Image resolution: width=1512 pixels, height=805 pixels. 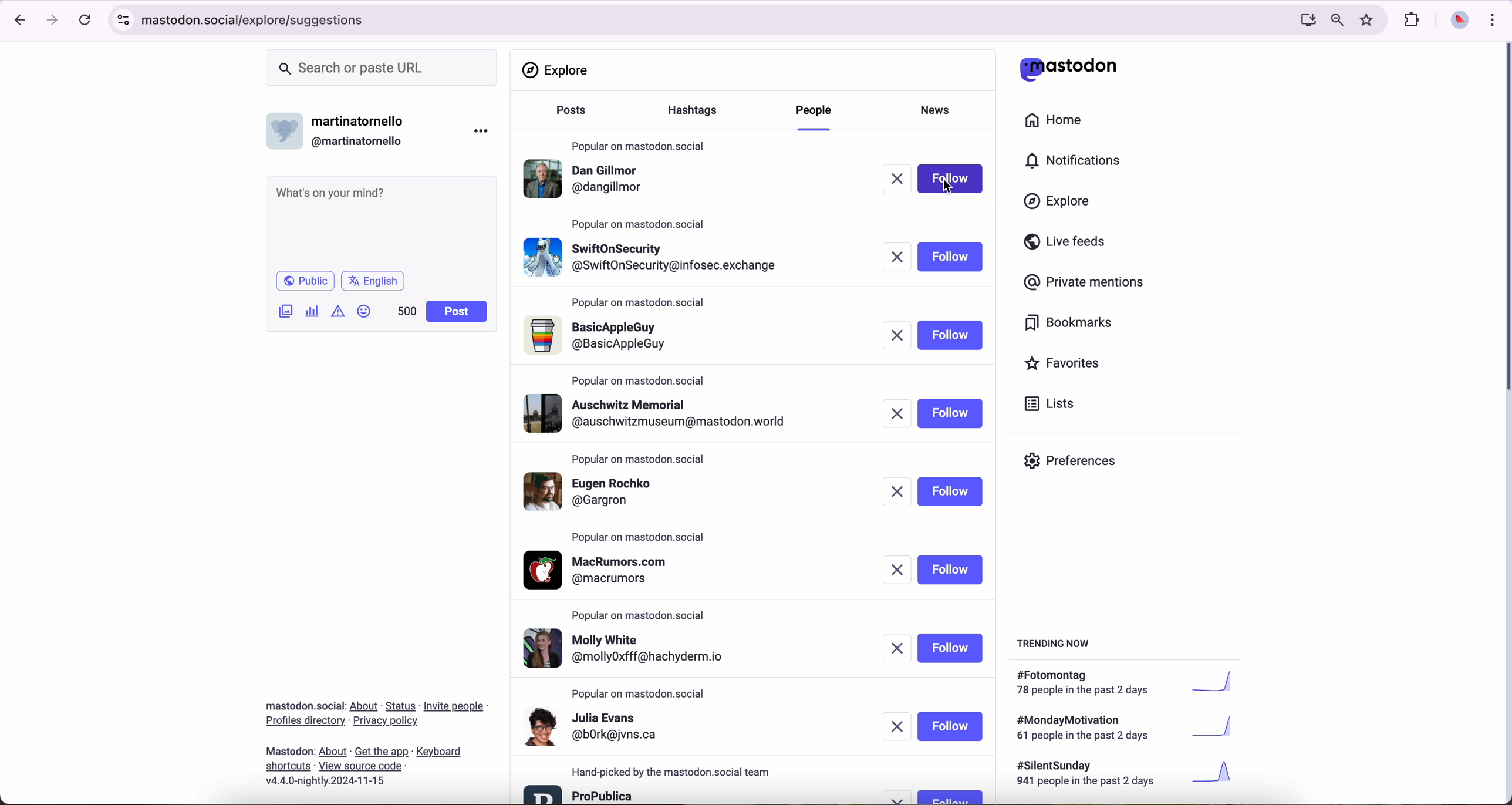 What do you see at coordinates (900, 493) in the screenshot?
I see `remove` at bounding box center [900, 493].